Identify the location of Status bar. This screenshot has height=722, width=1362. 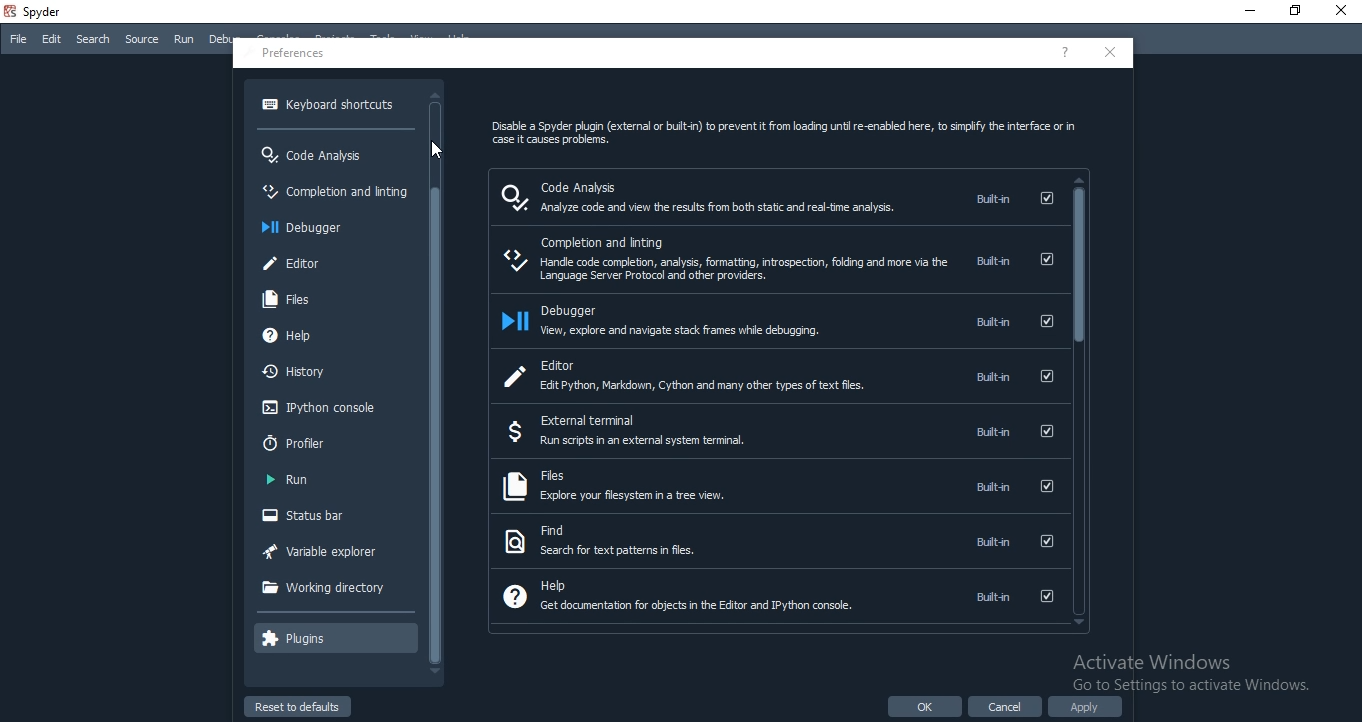
(328, 515).